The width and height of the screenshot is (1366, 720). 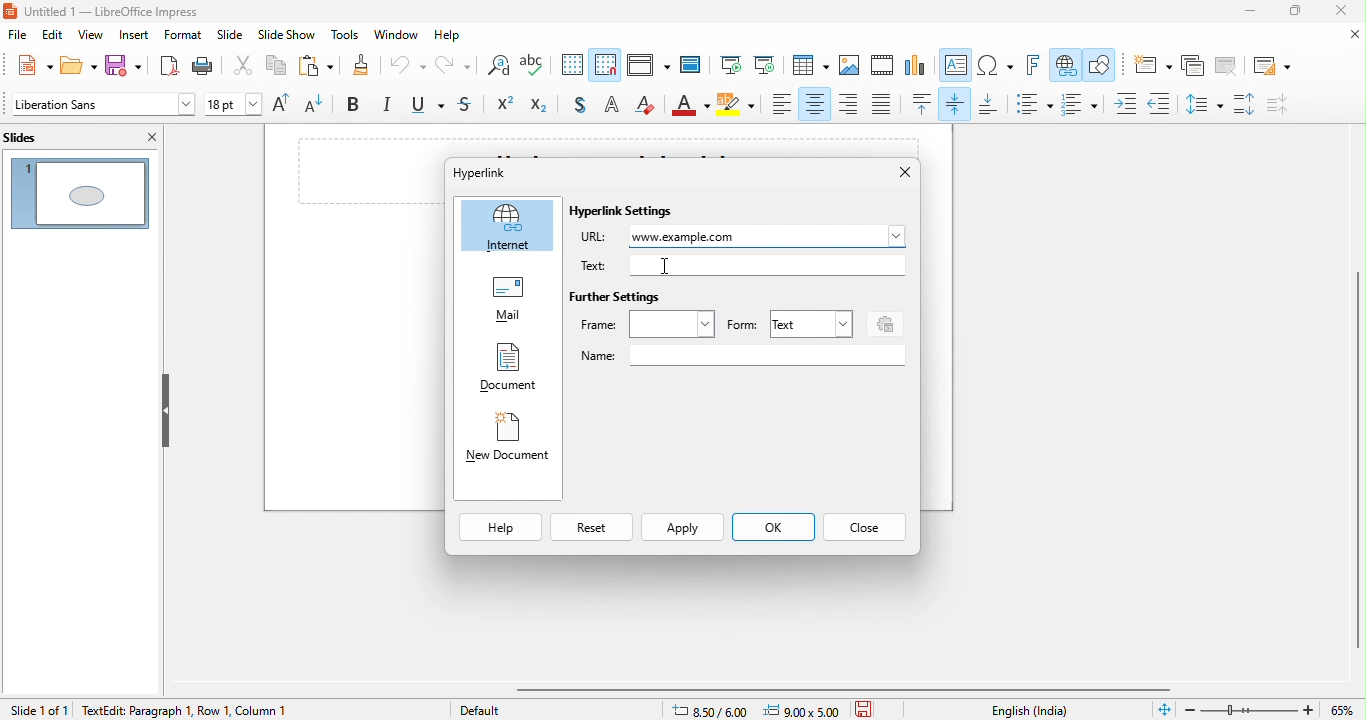 I want to click on save, so click(x=123, y=67).